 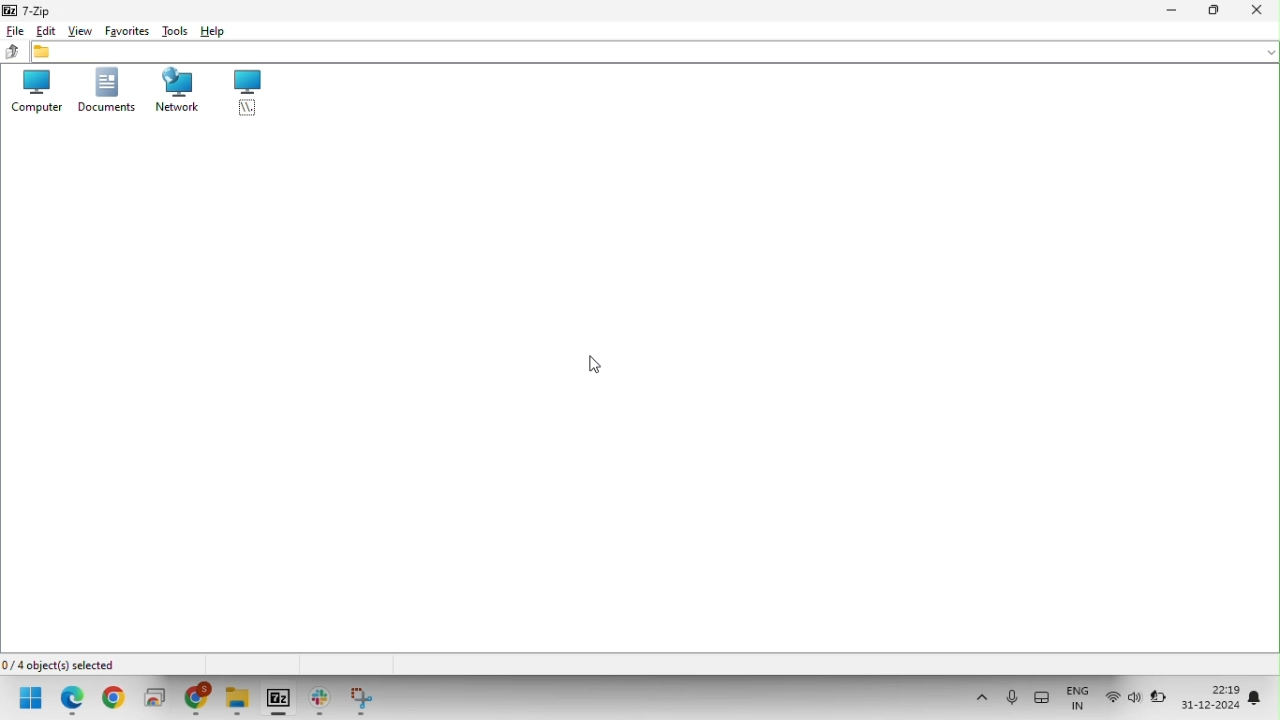 I want to click on battery status, so click(x=1162, y=694).